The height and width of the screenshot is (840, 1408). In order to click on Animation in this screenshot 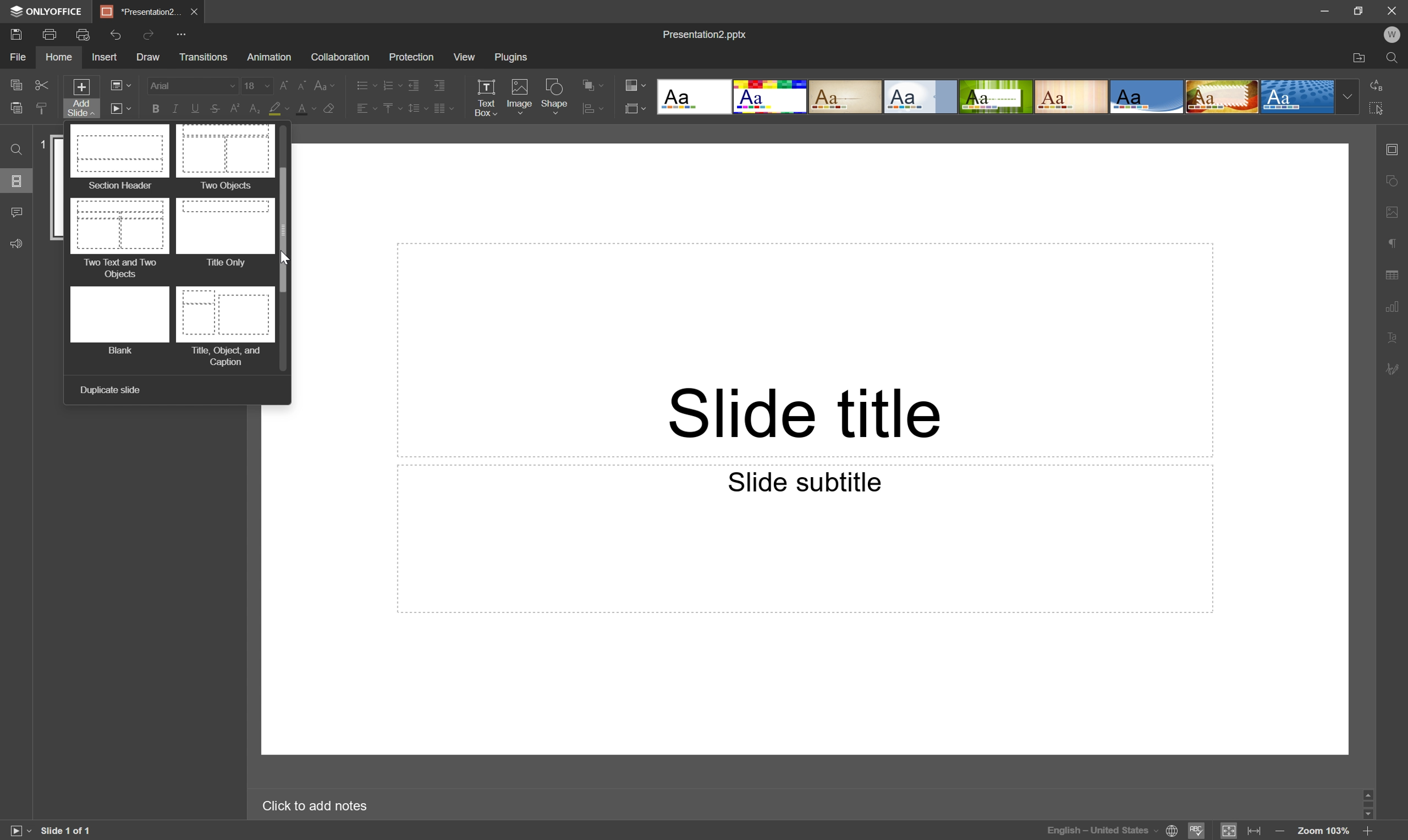, I will do `click(267, 57)`.